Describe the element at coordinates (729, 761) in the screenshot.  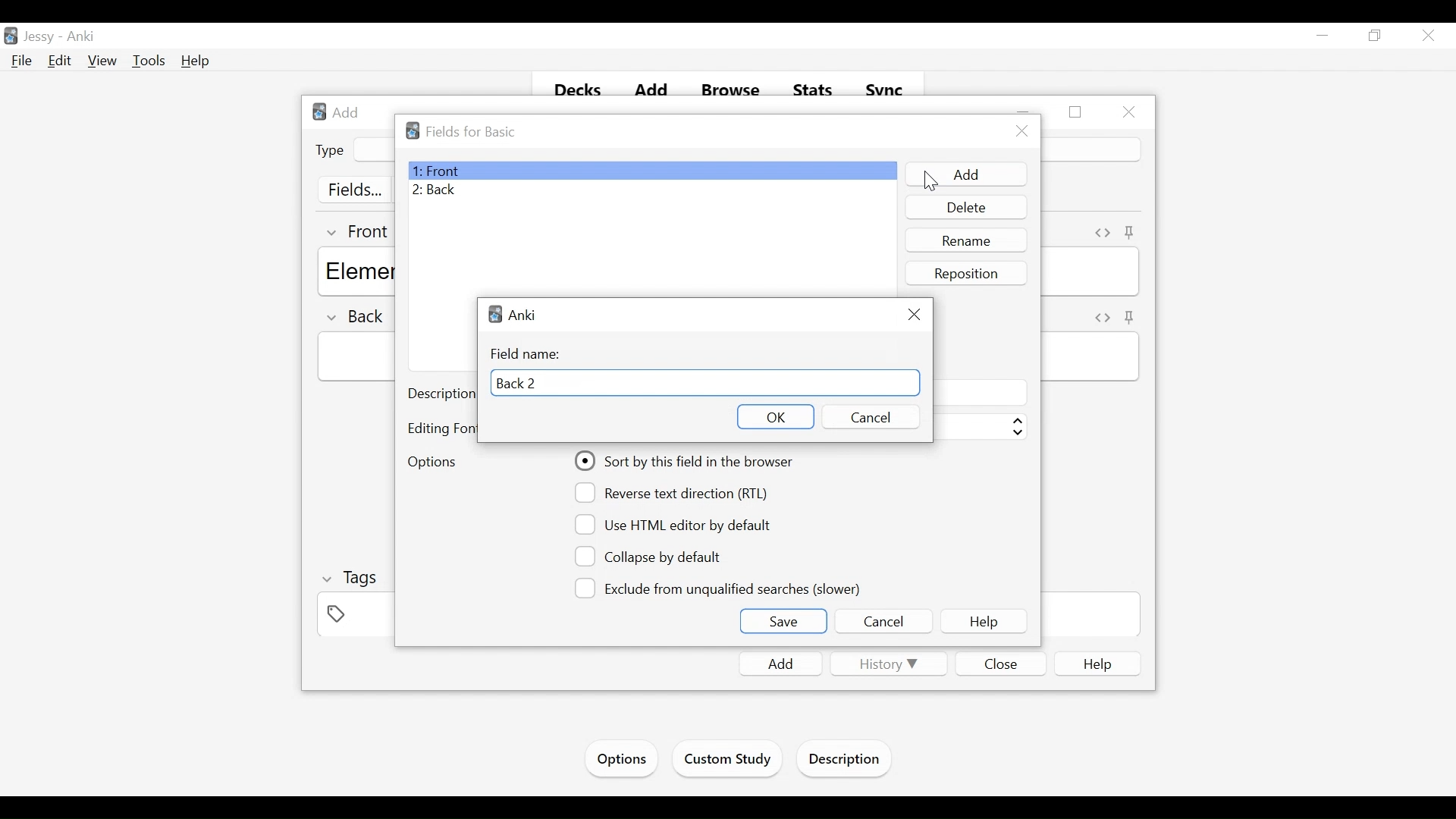
I see `Custom Study` at that location.